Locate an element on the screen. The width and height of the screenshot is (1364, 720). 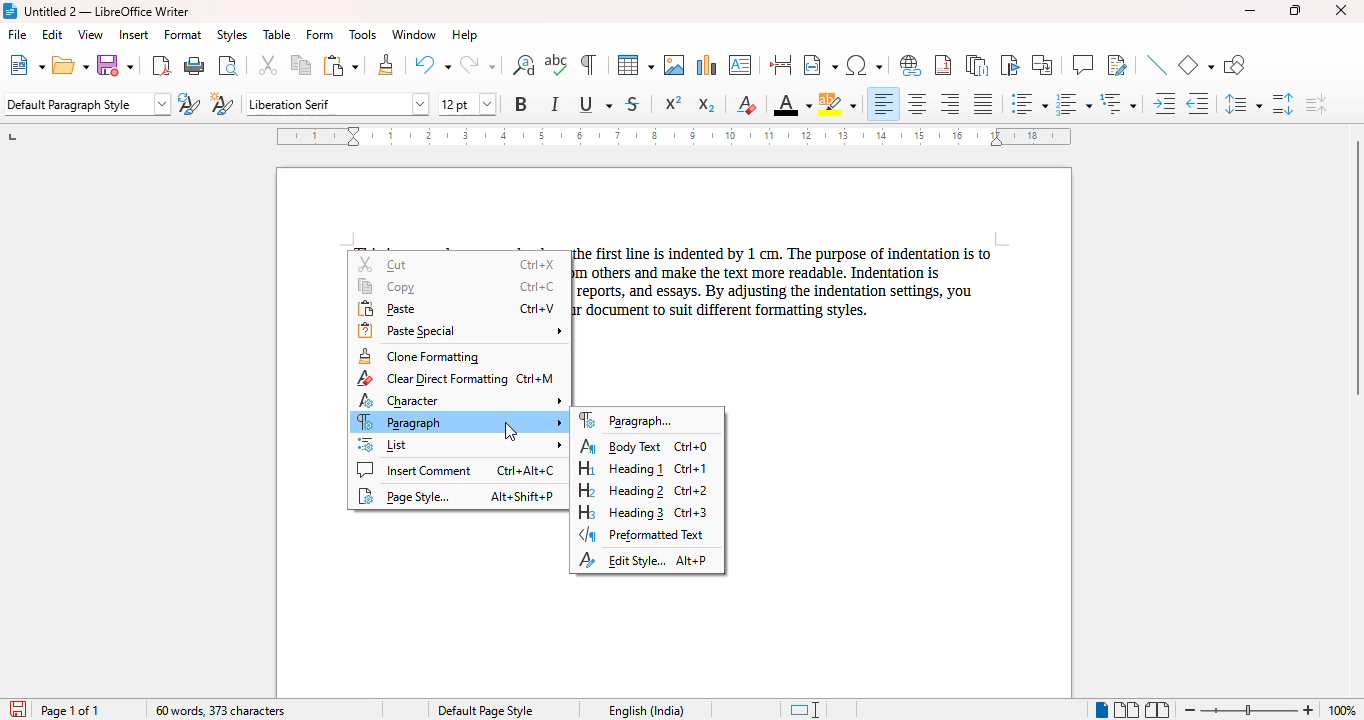
font color is located at coordinates (792, 104).